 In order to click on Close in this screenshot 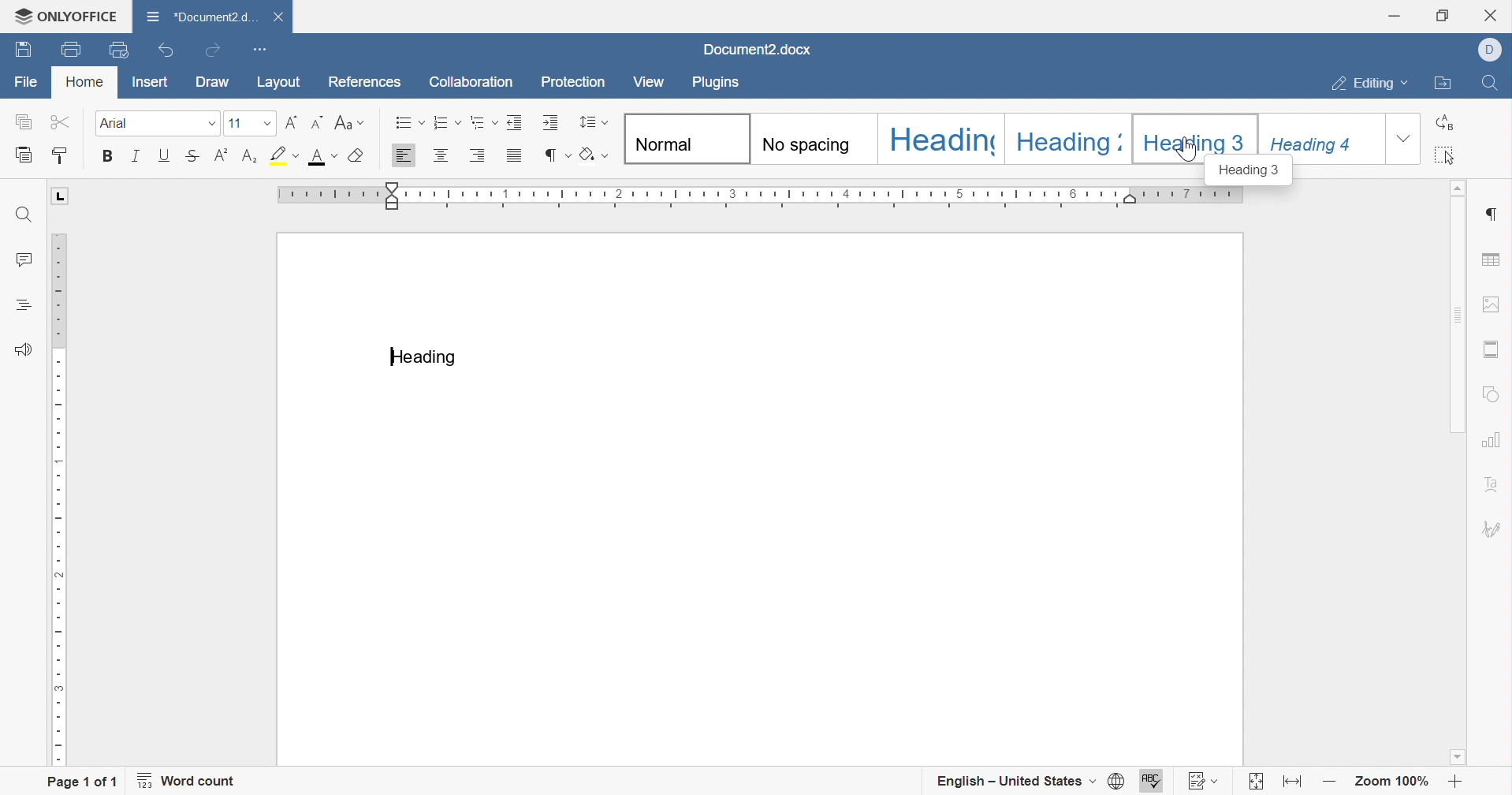, I will do `click(278, 17)`.